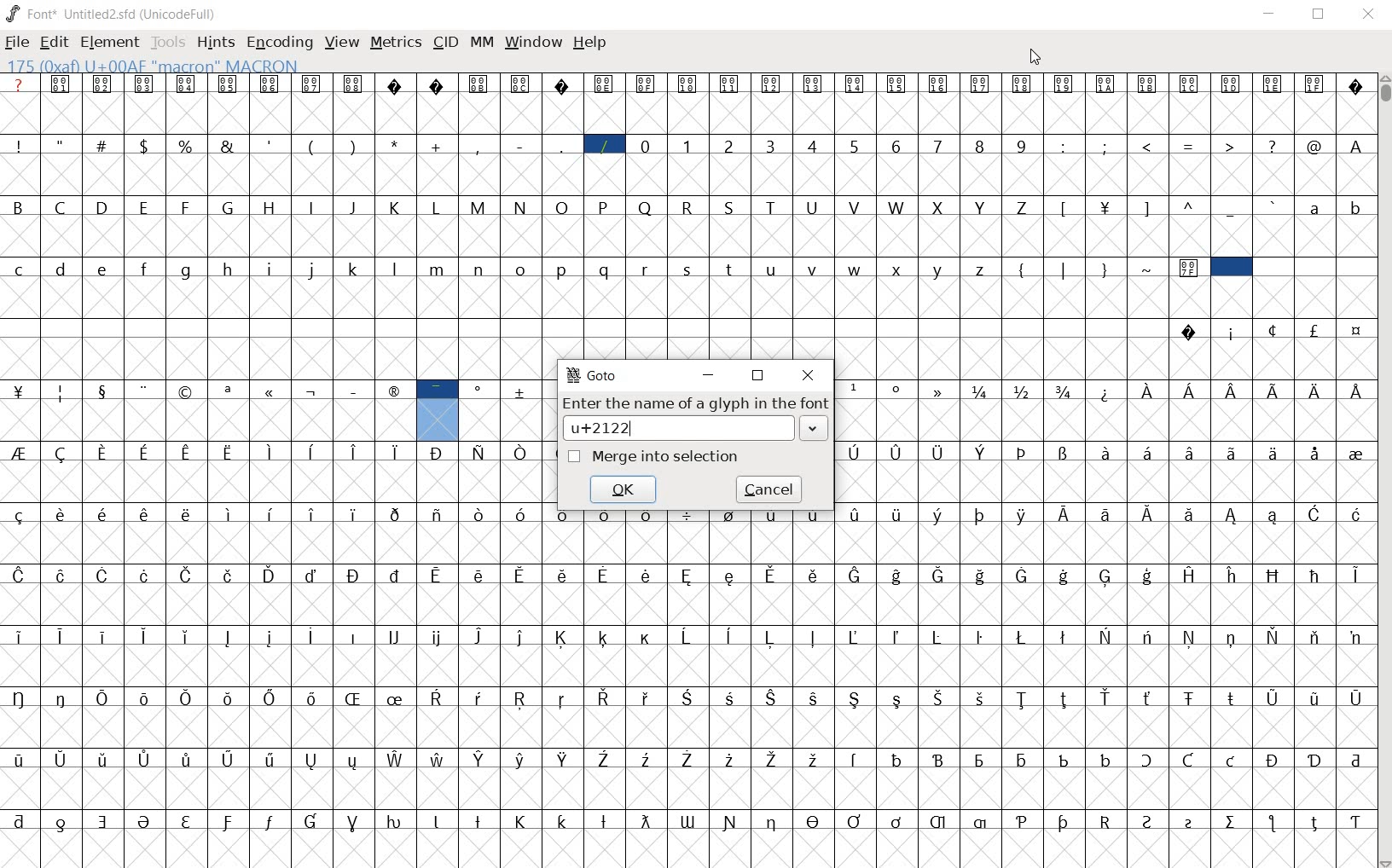  What do you see at coordinates (498, 289) in the screenshot?
I see `alphabets` at bounding box center [498, 289].